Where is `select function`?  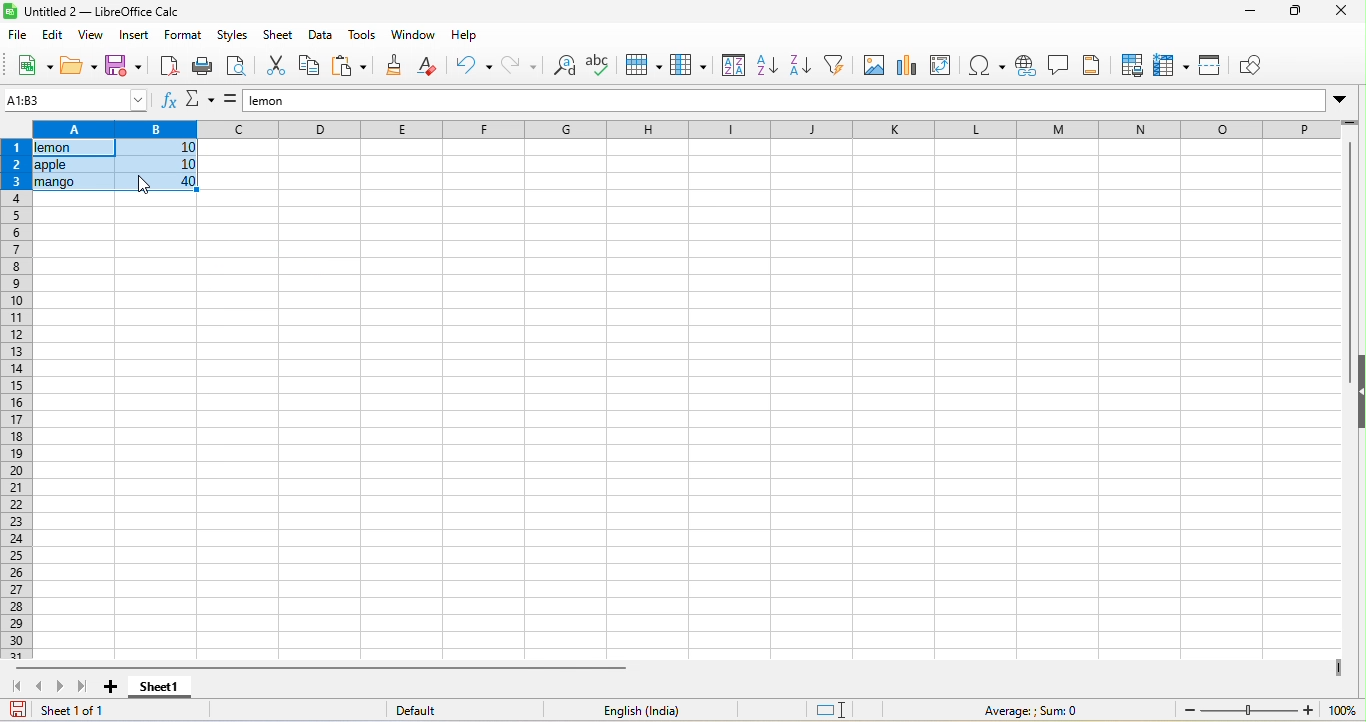
select function is located at coordinates (201, 102).